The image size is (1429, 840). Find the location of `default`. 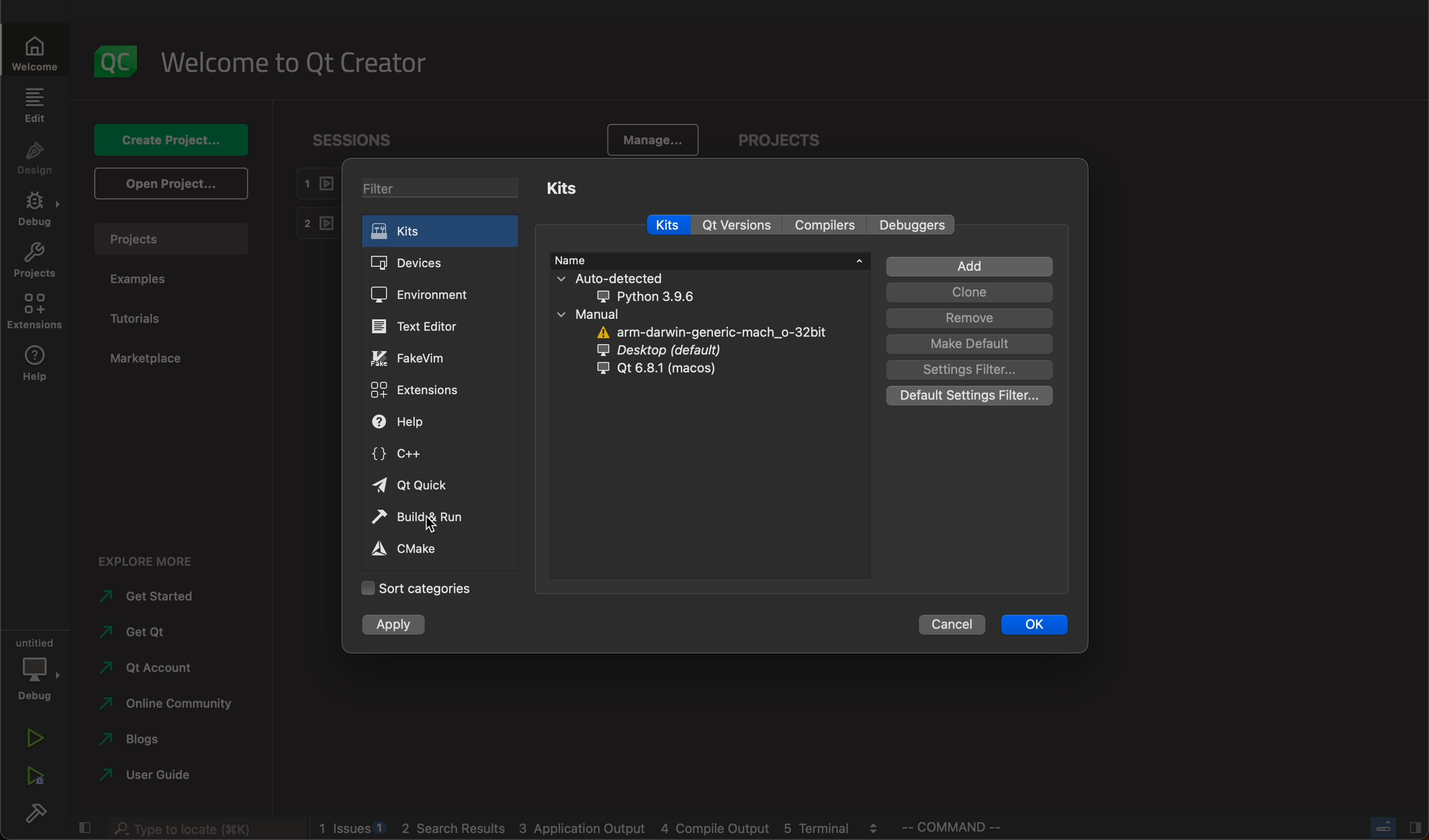

default is located at coordinates (969, 345).